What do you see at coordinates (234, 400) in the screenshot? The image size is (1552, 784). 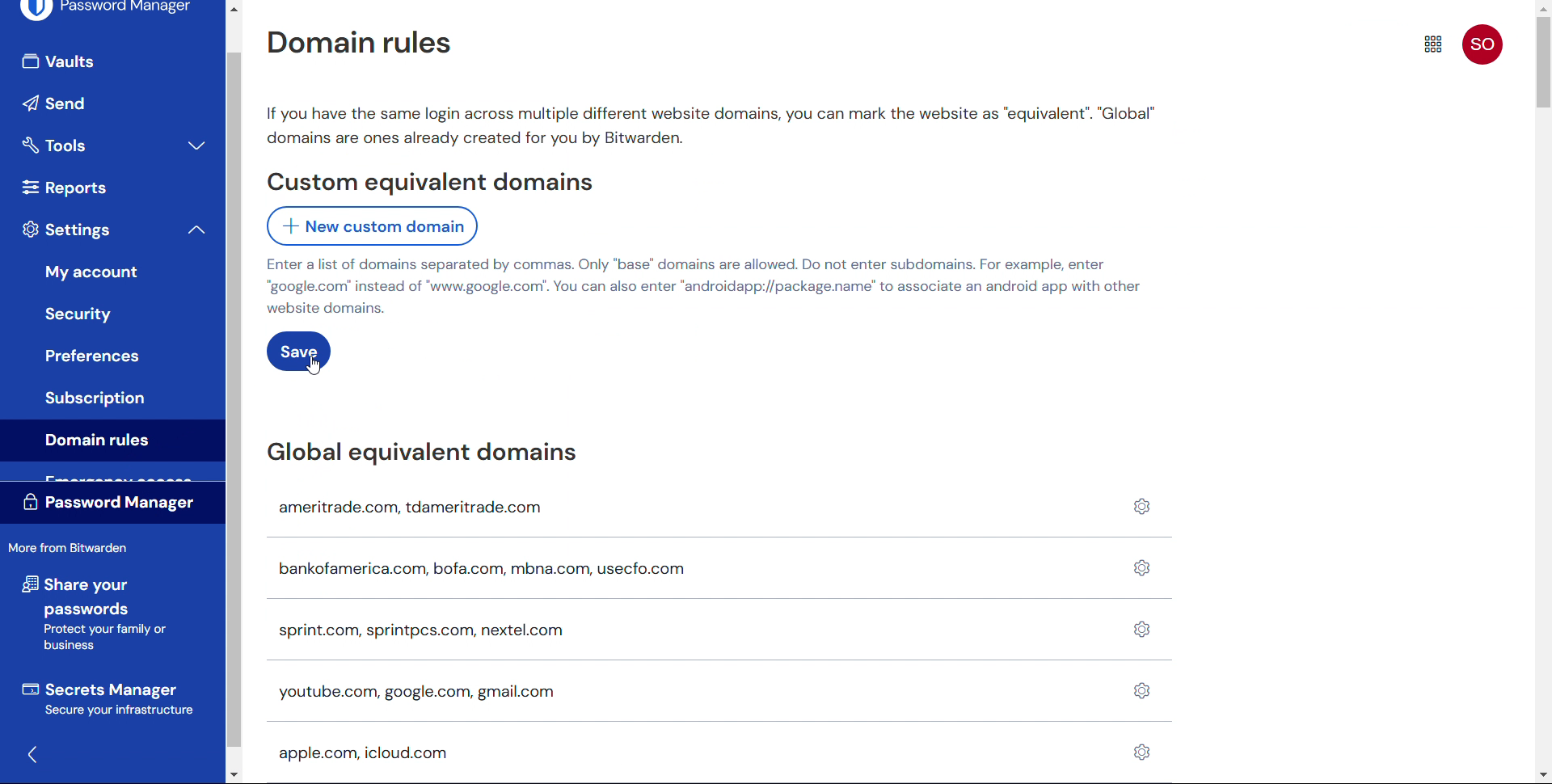 I see `Scroll bar ` at bounding box center [234, 400].